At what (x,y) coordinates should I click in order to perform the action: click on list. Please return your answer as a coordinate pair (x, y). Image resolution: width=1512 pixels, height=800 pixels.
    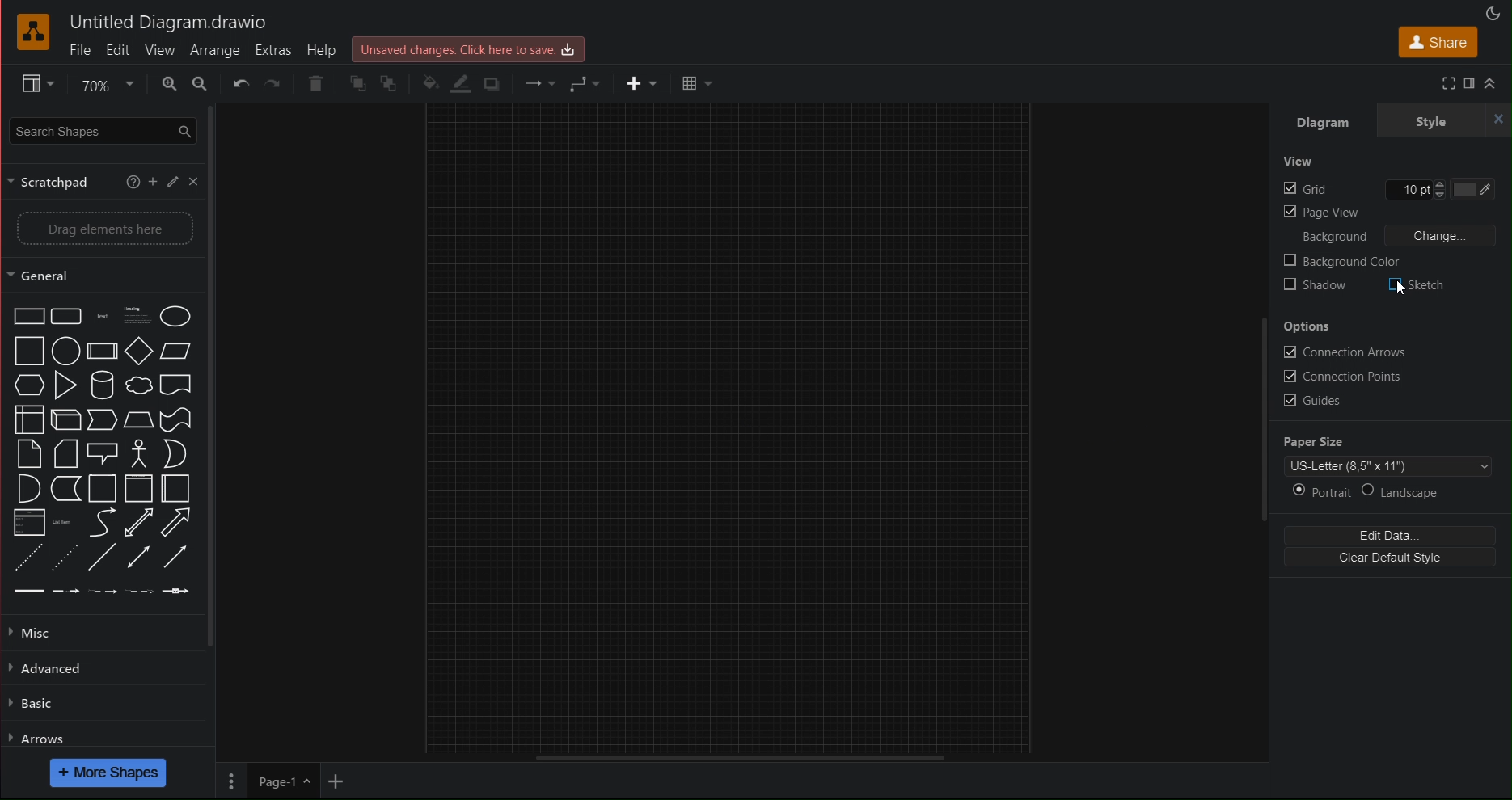
    Looking at the image, I should click on (30, 524).